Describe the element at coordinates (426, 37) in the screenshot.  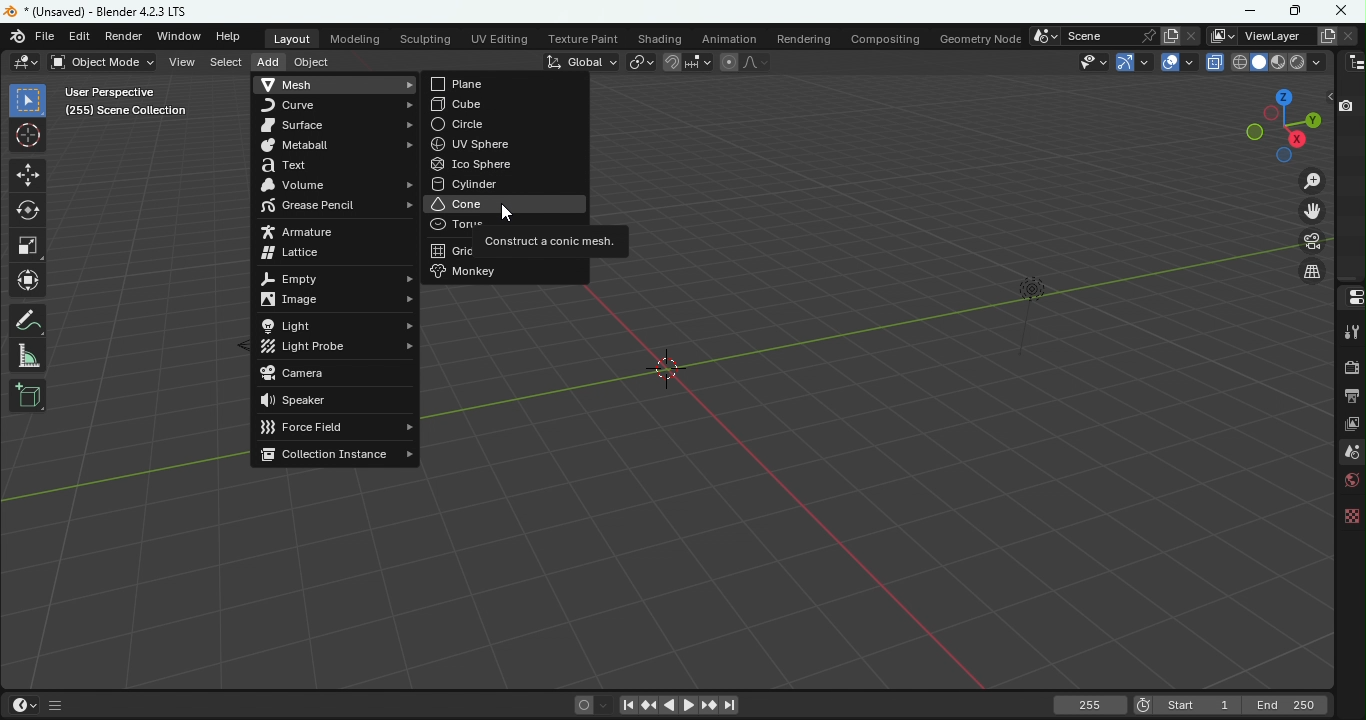
I see `Sculpting` at that location.